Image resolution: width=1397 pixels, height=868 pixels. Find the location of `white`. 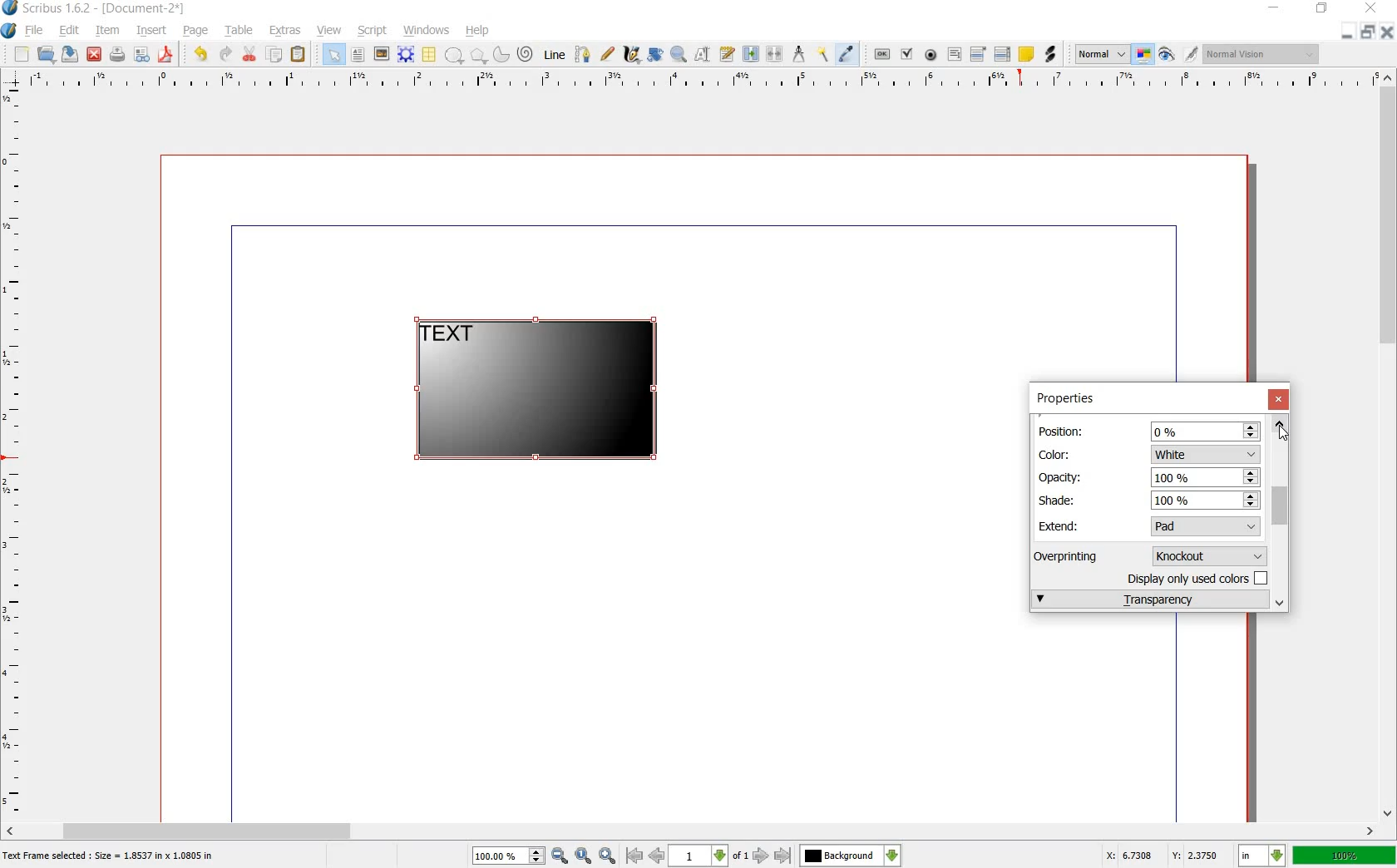

white is located at coordinates (1205, 453).